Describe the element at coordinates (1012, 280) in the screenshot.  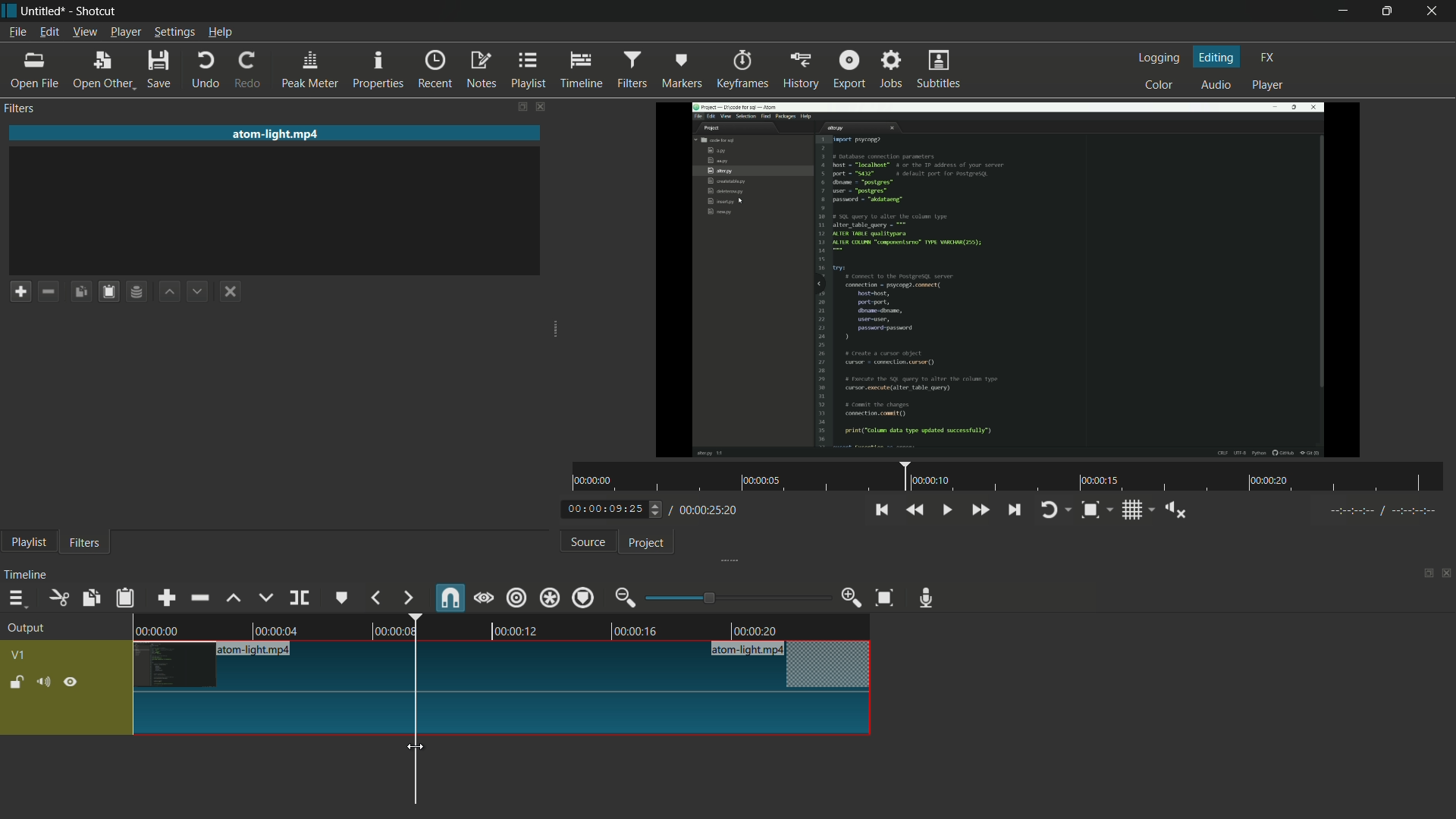
I see `imported video` at that location.